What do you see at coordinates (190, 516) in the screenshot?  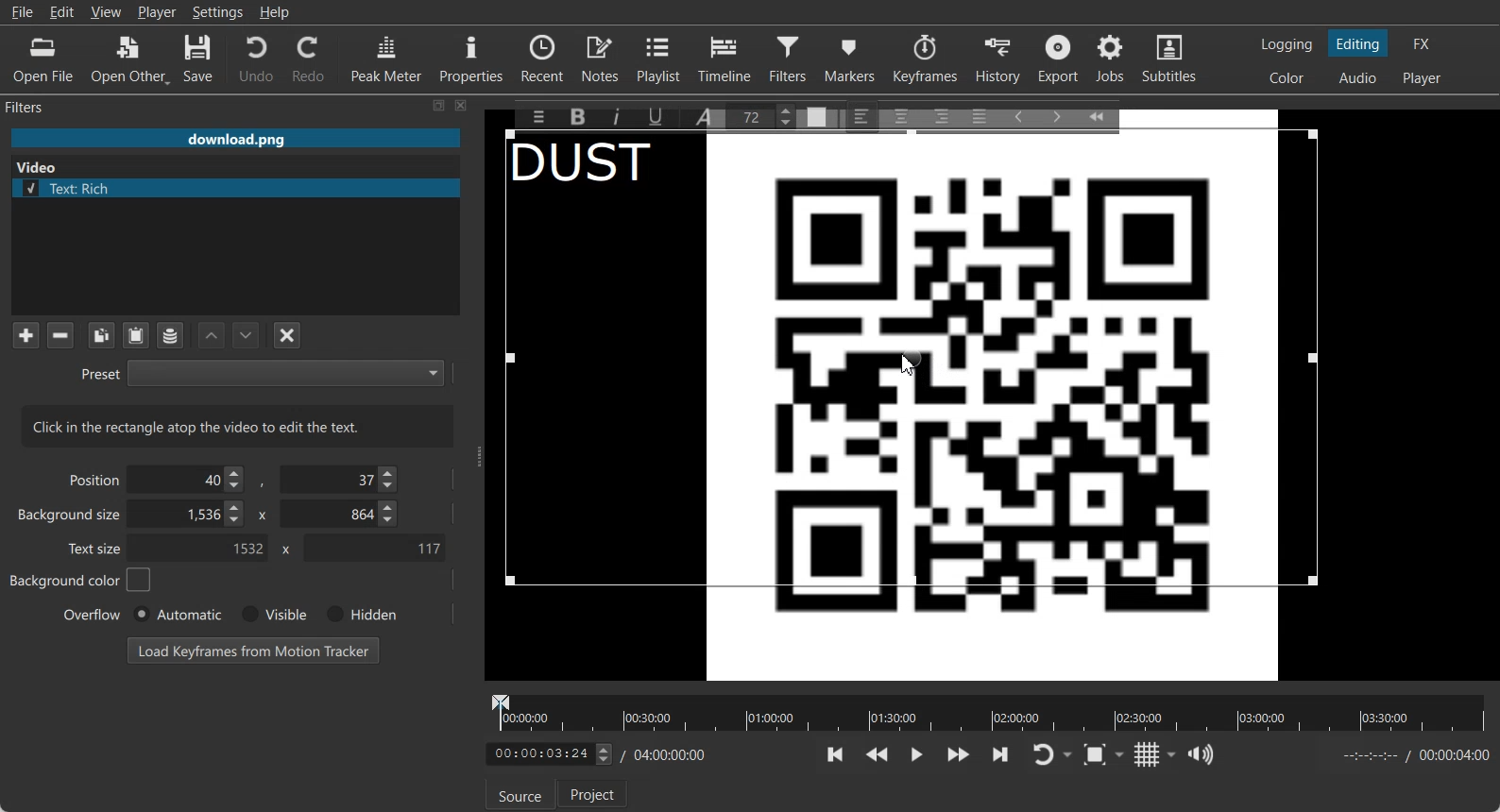 I see `Background size X- Coordinate` at bounding box center [190, 516].